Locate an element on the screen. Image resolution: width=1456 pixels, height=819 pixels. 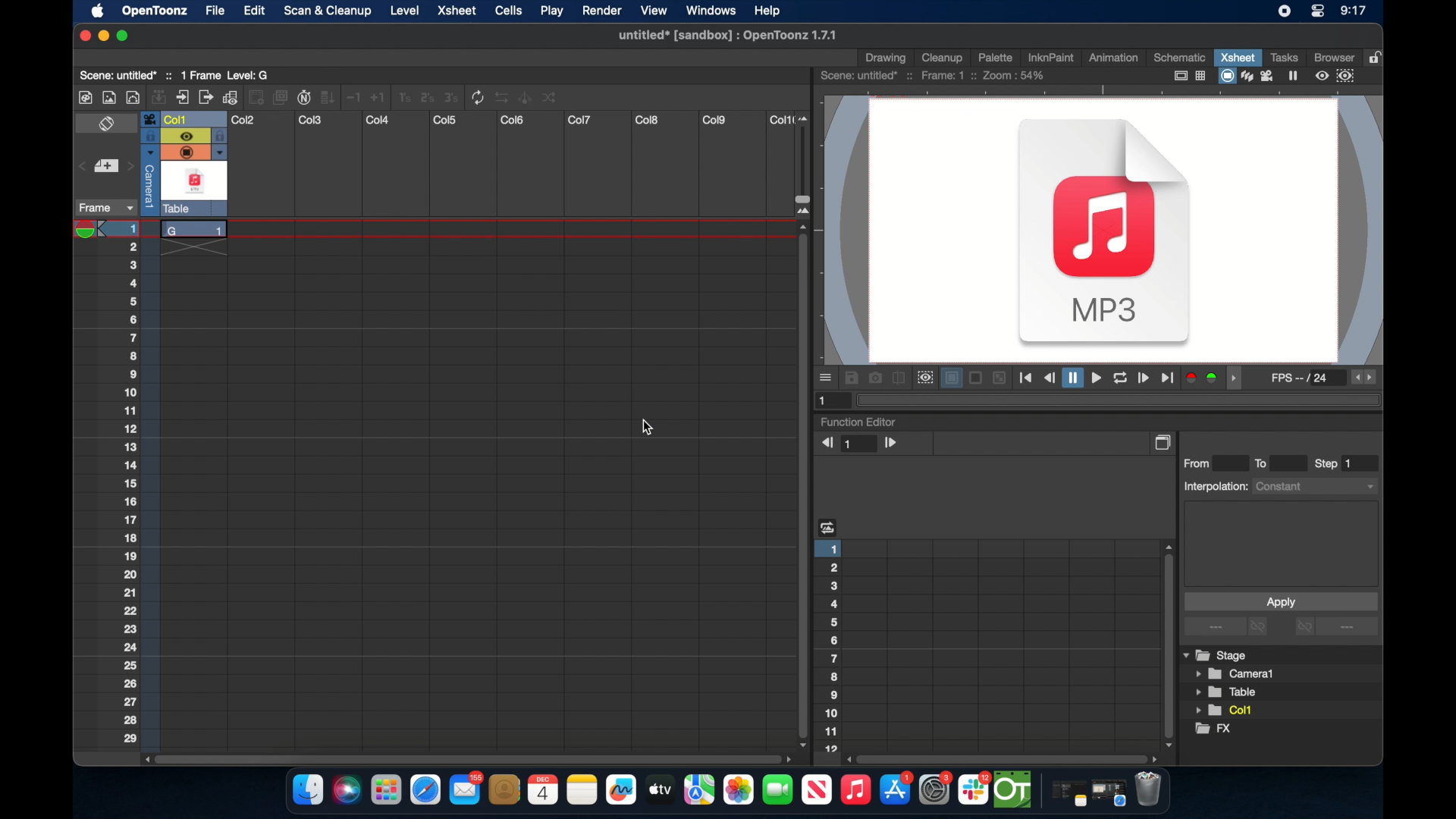
siri is located at coordinates (345, 790).